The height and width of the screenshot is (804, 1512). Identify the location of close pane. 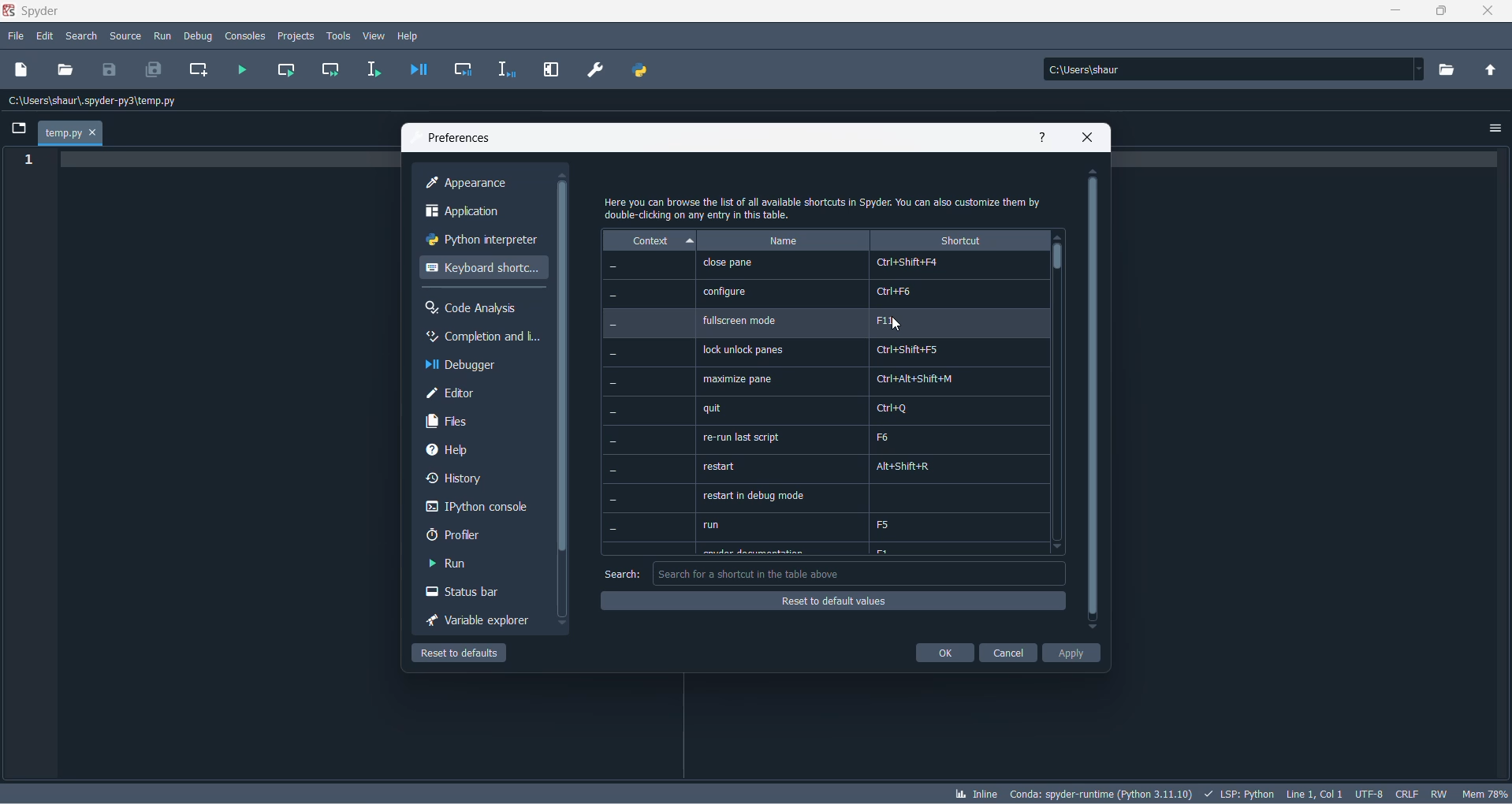
(727, 263).